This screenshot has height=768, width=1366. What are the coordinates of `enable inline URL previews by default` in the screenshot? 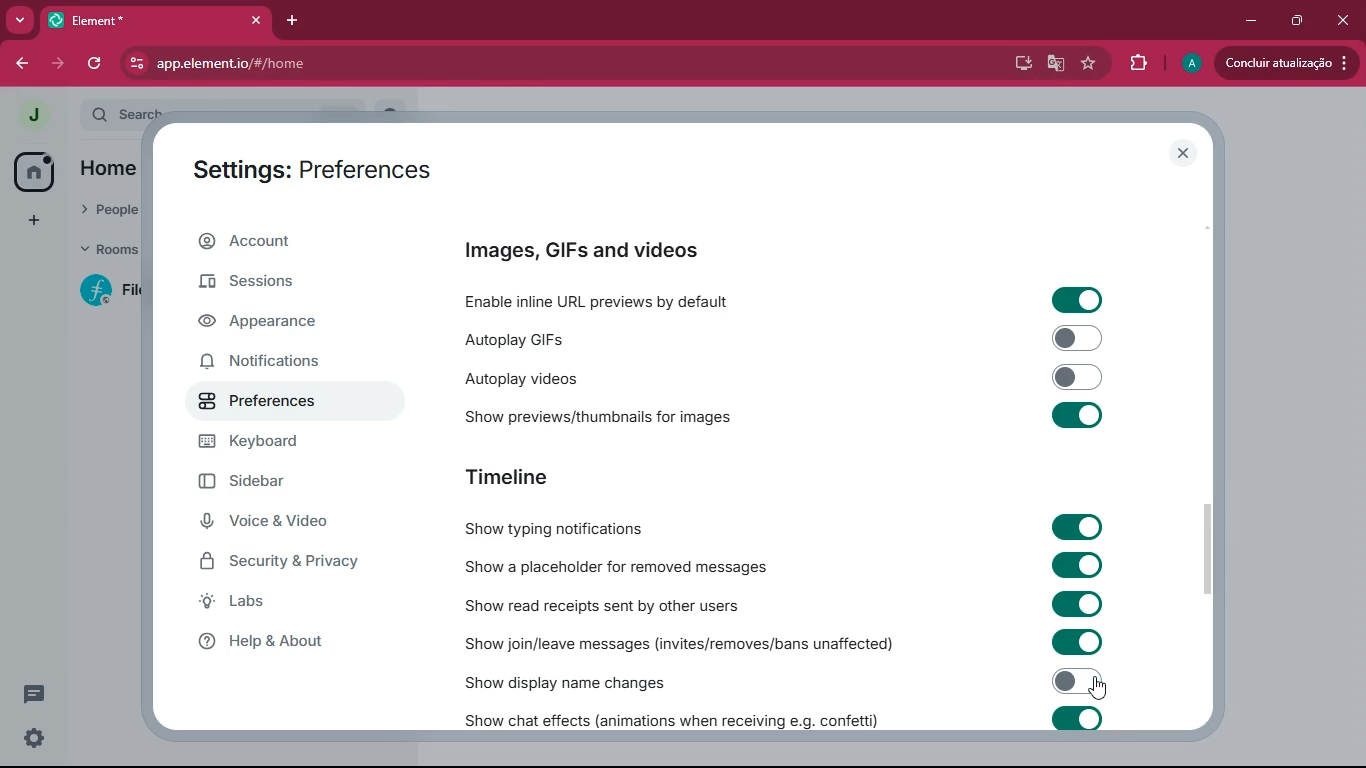 It's located at (610, 299).